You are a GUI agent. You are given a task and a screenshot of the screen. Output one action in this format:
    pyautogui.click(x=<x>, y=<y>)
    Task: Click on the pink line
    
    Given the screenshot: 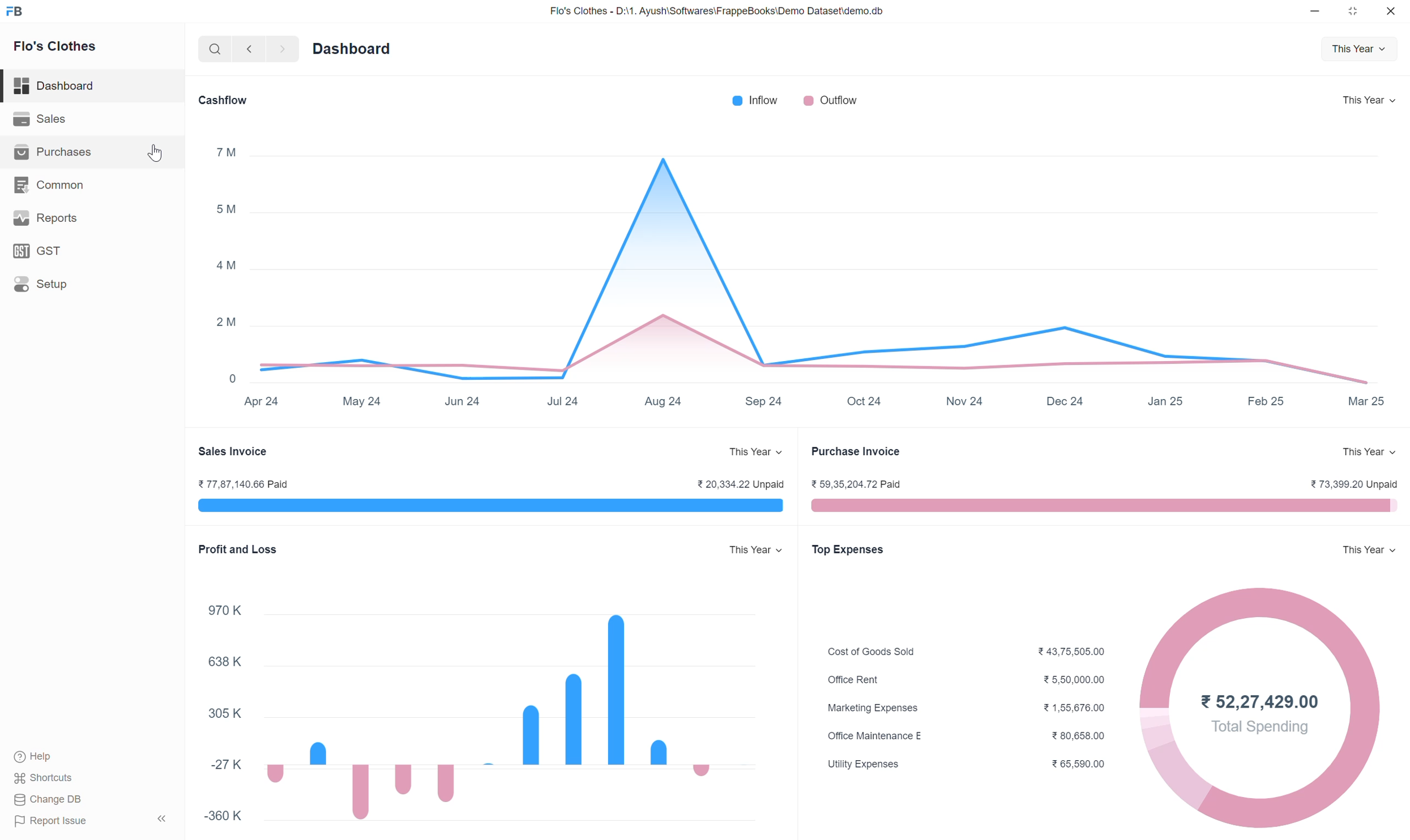 What is the action you would take?
    pyautogui.click(x=1101, y=506)
    